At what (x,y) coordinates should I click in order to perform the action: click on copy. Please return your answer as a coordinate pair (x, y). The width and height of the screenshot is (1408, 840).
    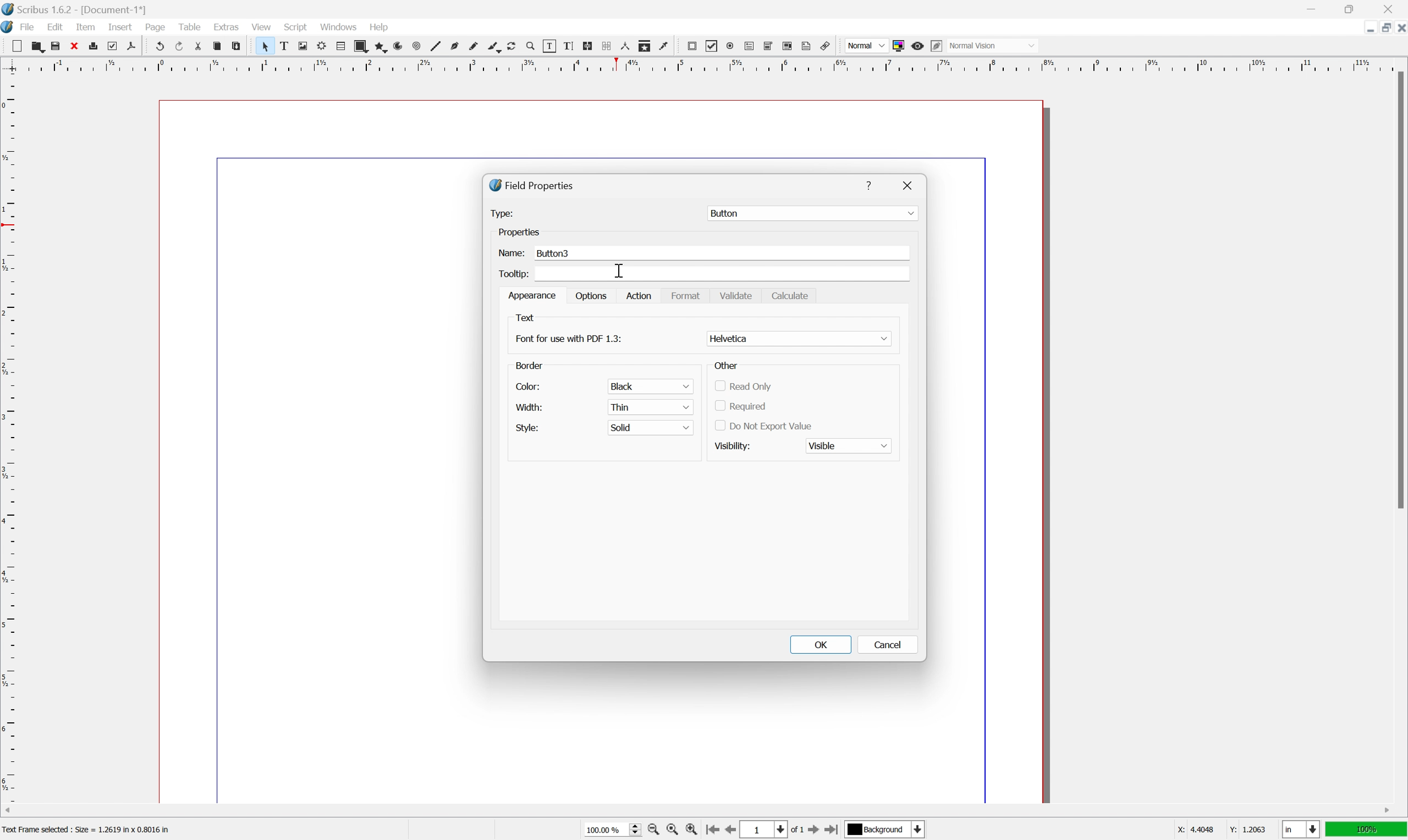
    Looking at the image, I should click on (217, 46).